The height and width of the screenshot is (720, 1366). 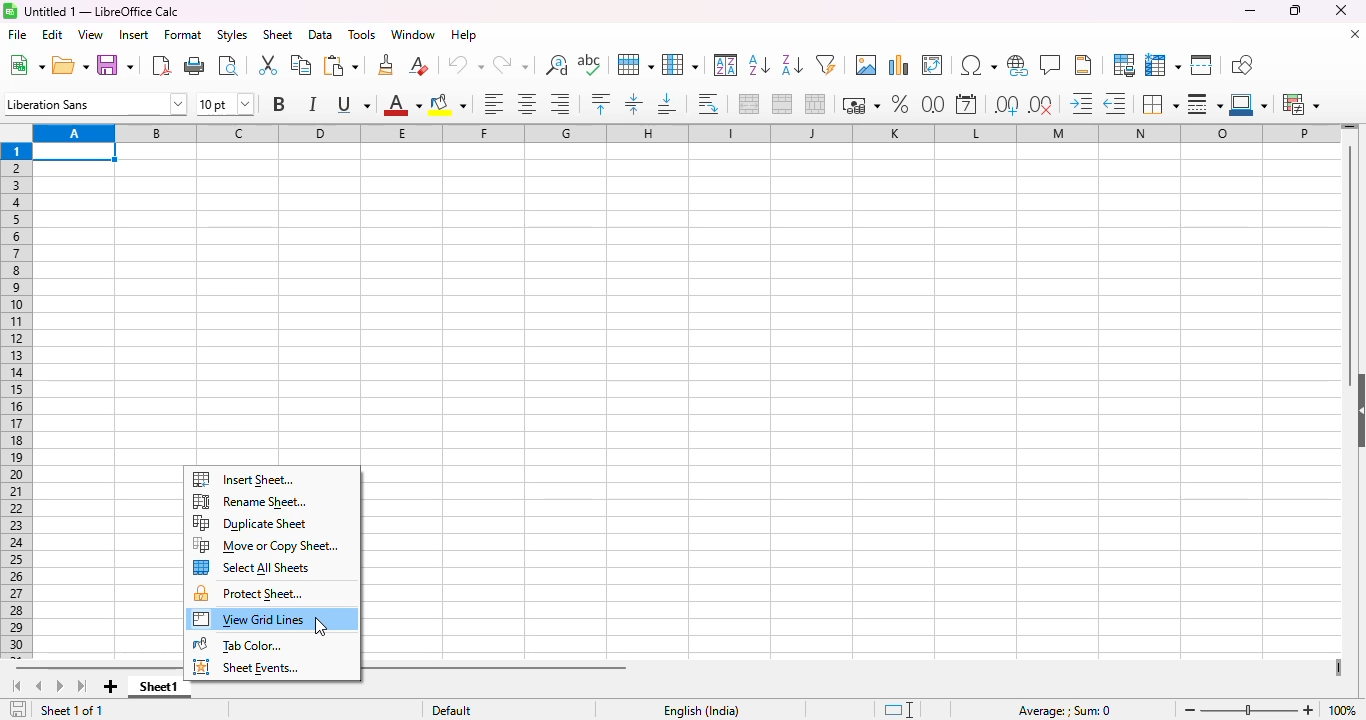 What do you see at coordinates (73, 710) in the screenshot?
I see `sheet 1 of 1 ` at bounding box center [73, 710].